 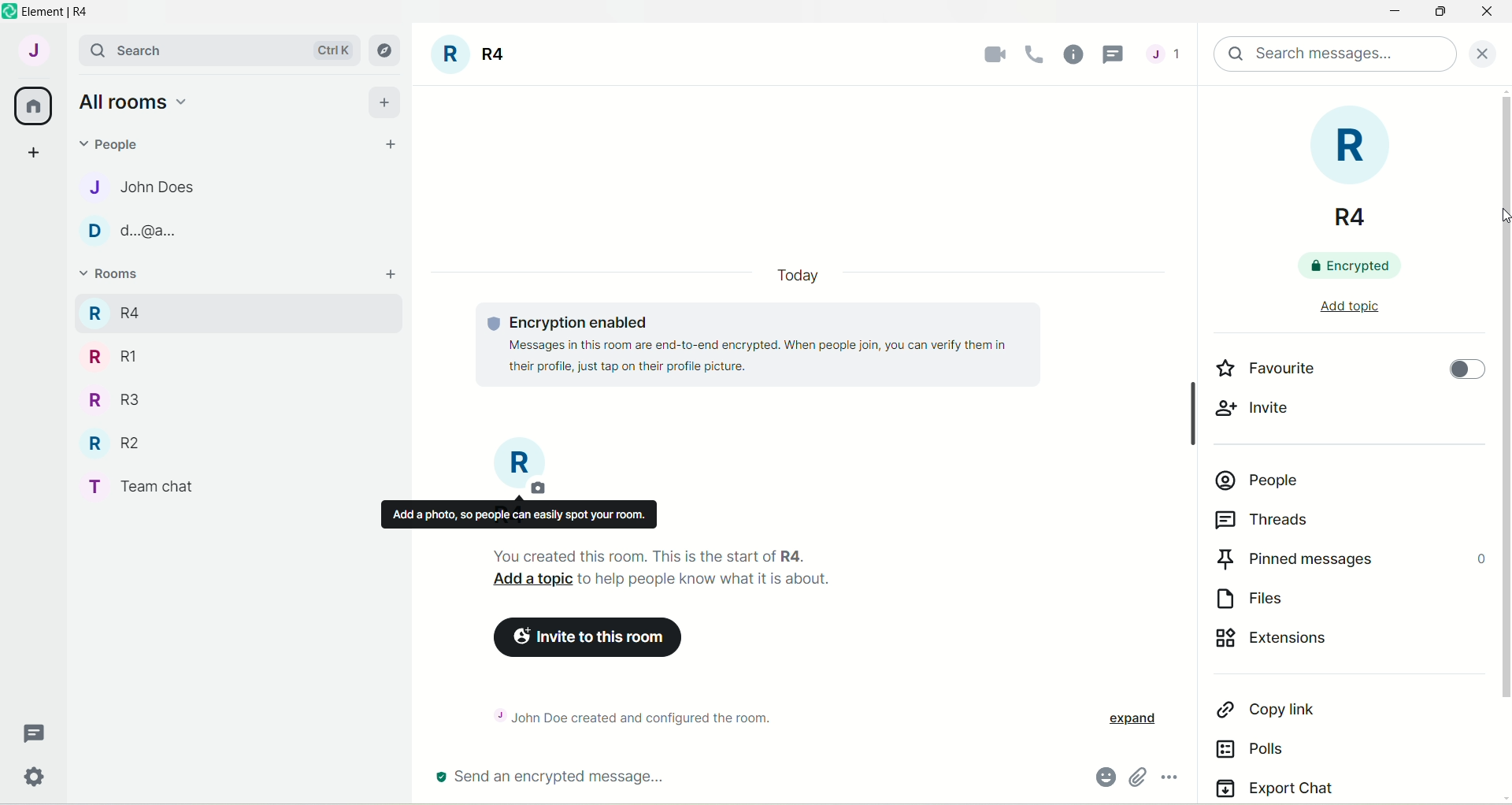 What do you see at coordinates (1116, 55) in the screenshot?
I see `cursor` at bounding box center [1116, 55].